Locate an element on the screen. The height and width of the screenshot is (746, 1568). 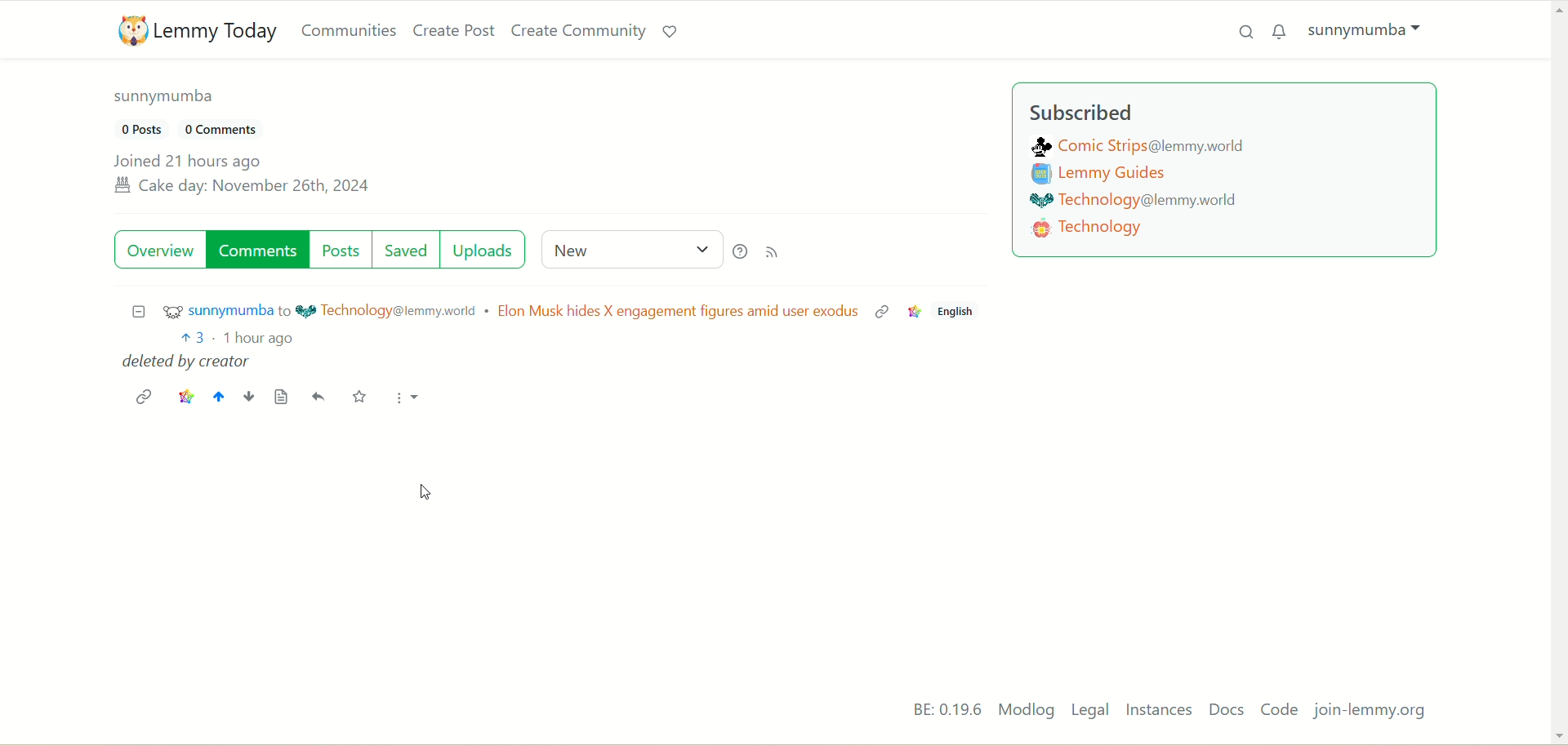
source is located at coordinates (281, 397).